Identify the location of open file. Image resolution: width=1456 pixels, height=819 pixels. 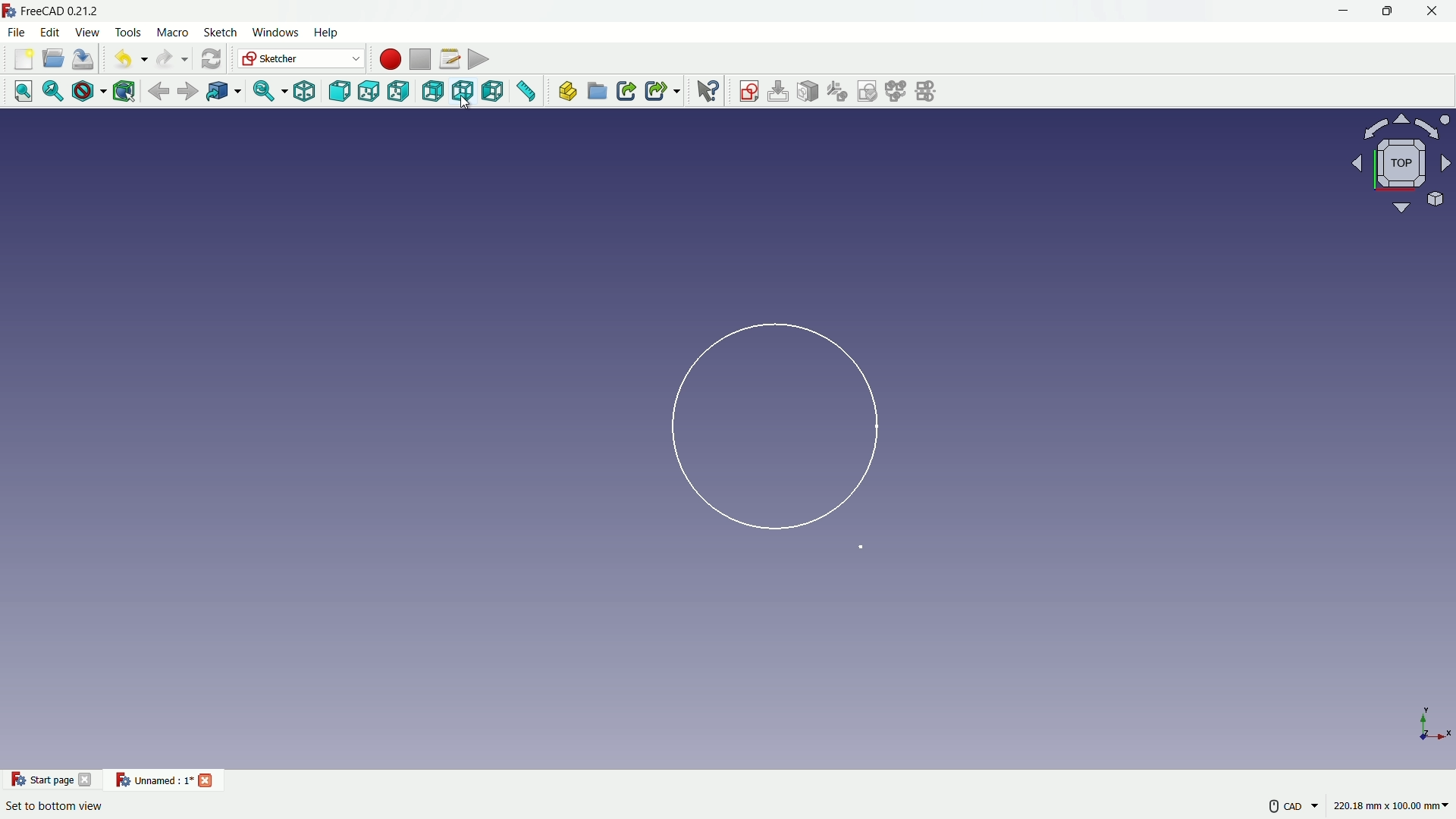
(22, 59).